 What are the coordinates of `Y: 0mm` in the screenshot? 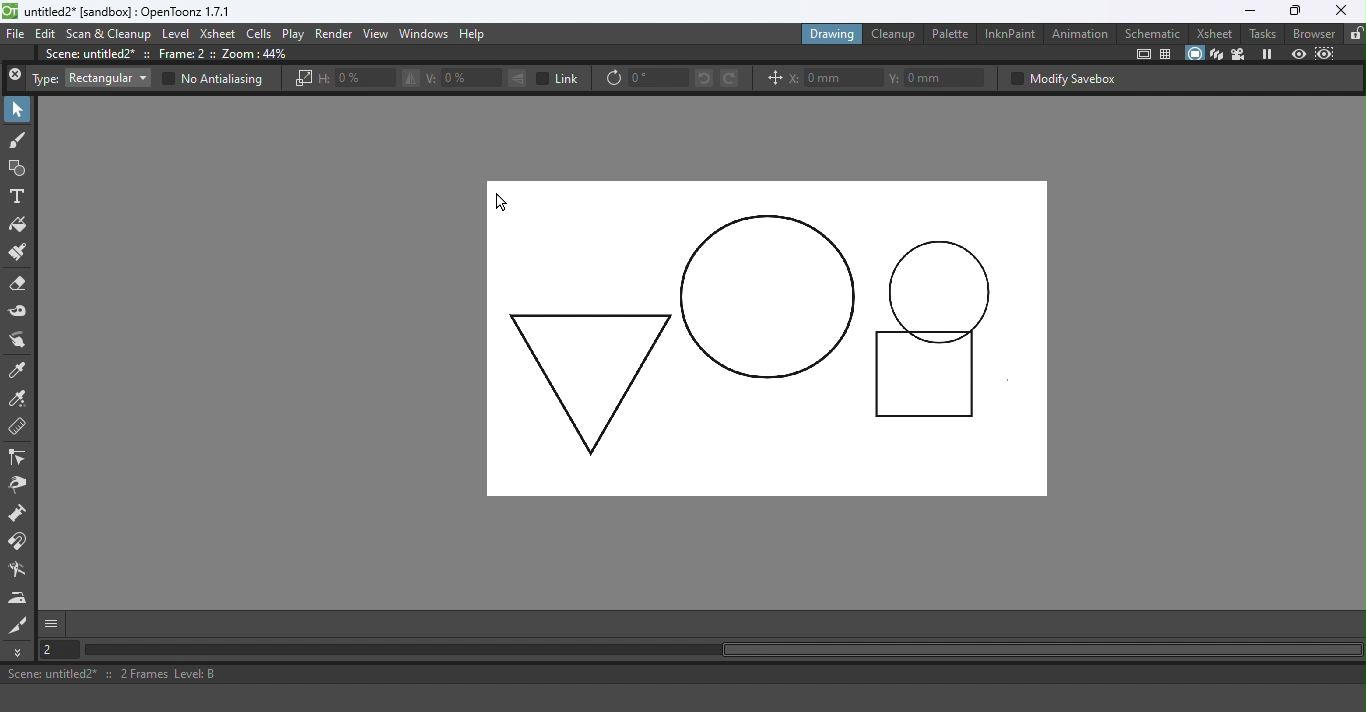 It's located at (939, 78).